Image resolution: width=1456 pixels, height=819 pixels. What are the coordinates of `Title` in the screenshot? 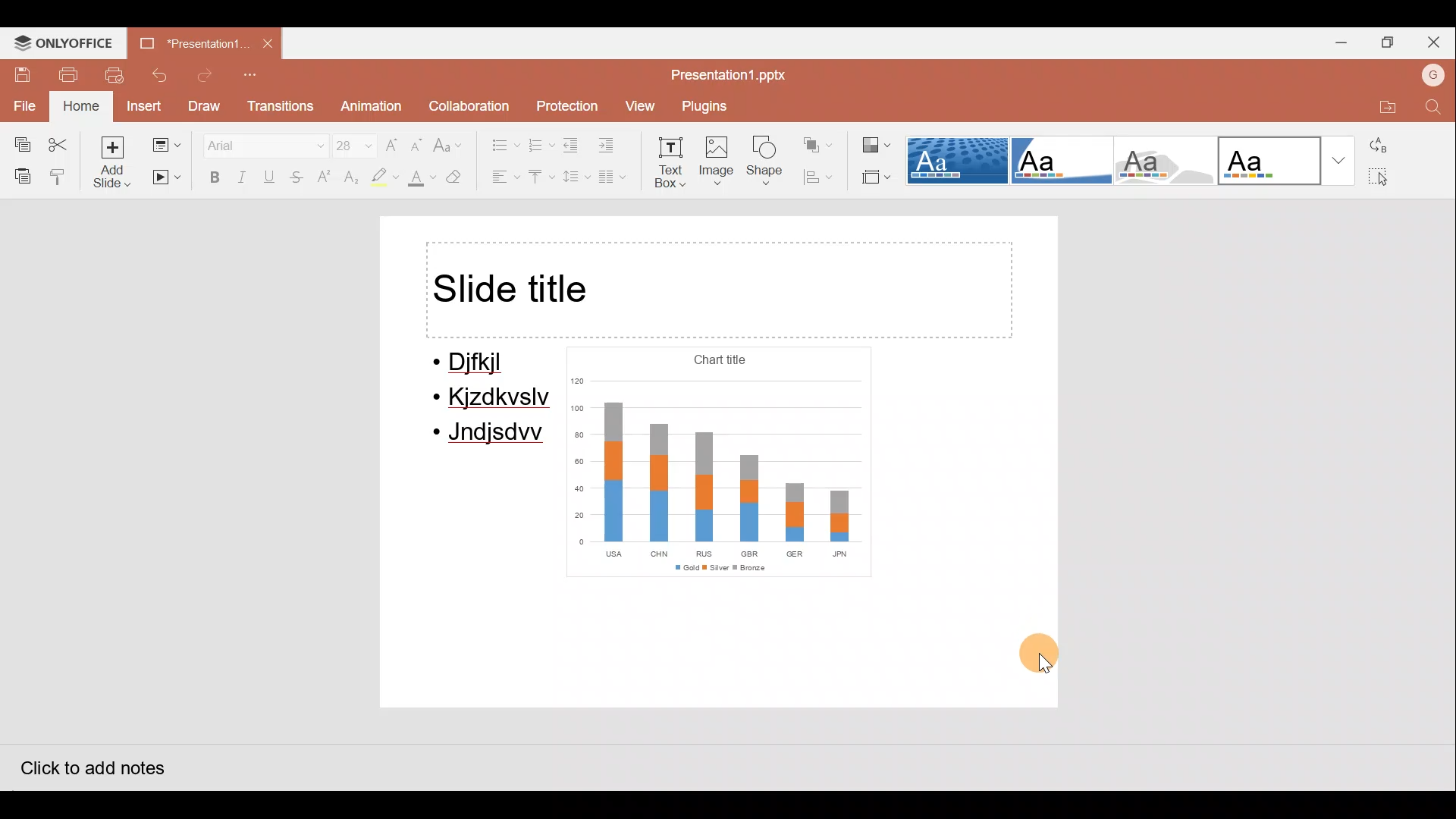 It's located at (719, 290).